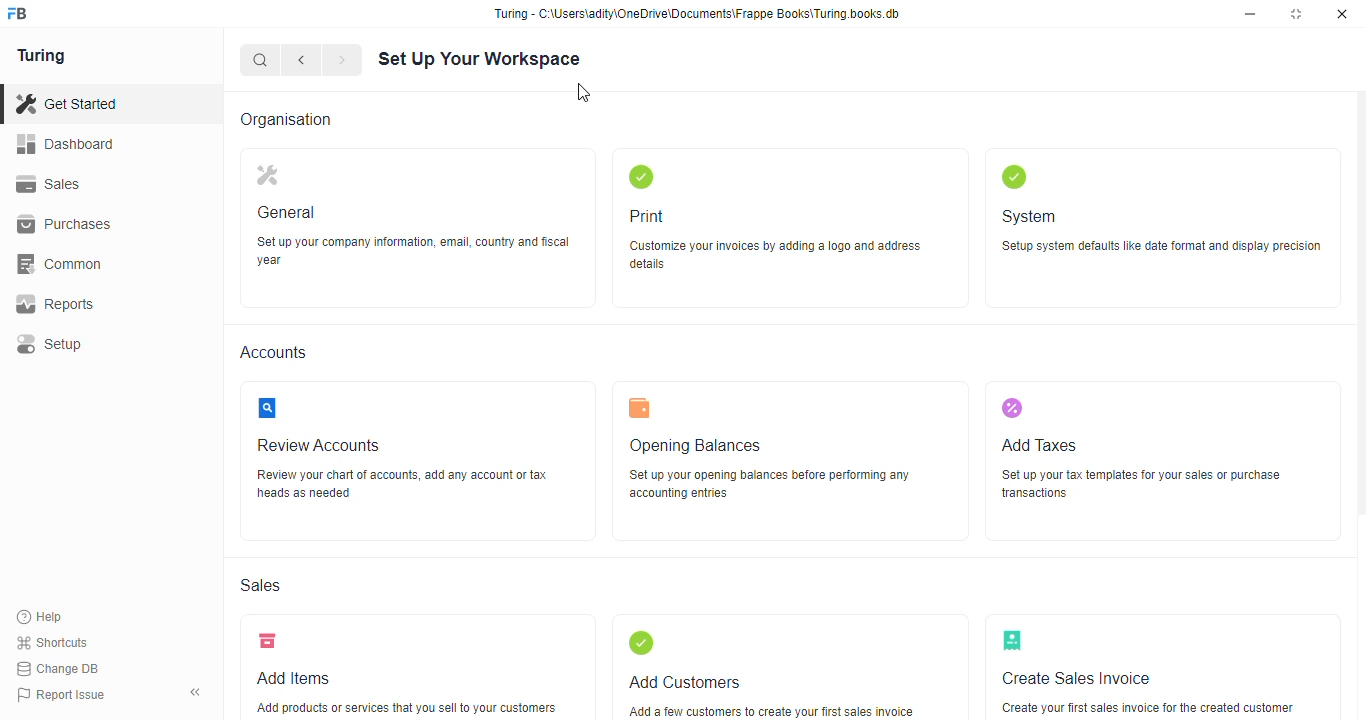 The image size is (1366, 720). What do you see at coordinates (108, 262) in the screenshot?
I see `Common` at bounding box center [108, 262].